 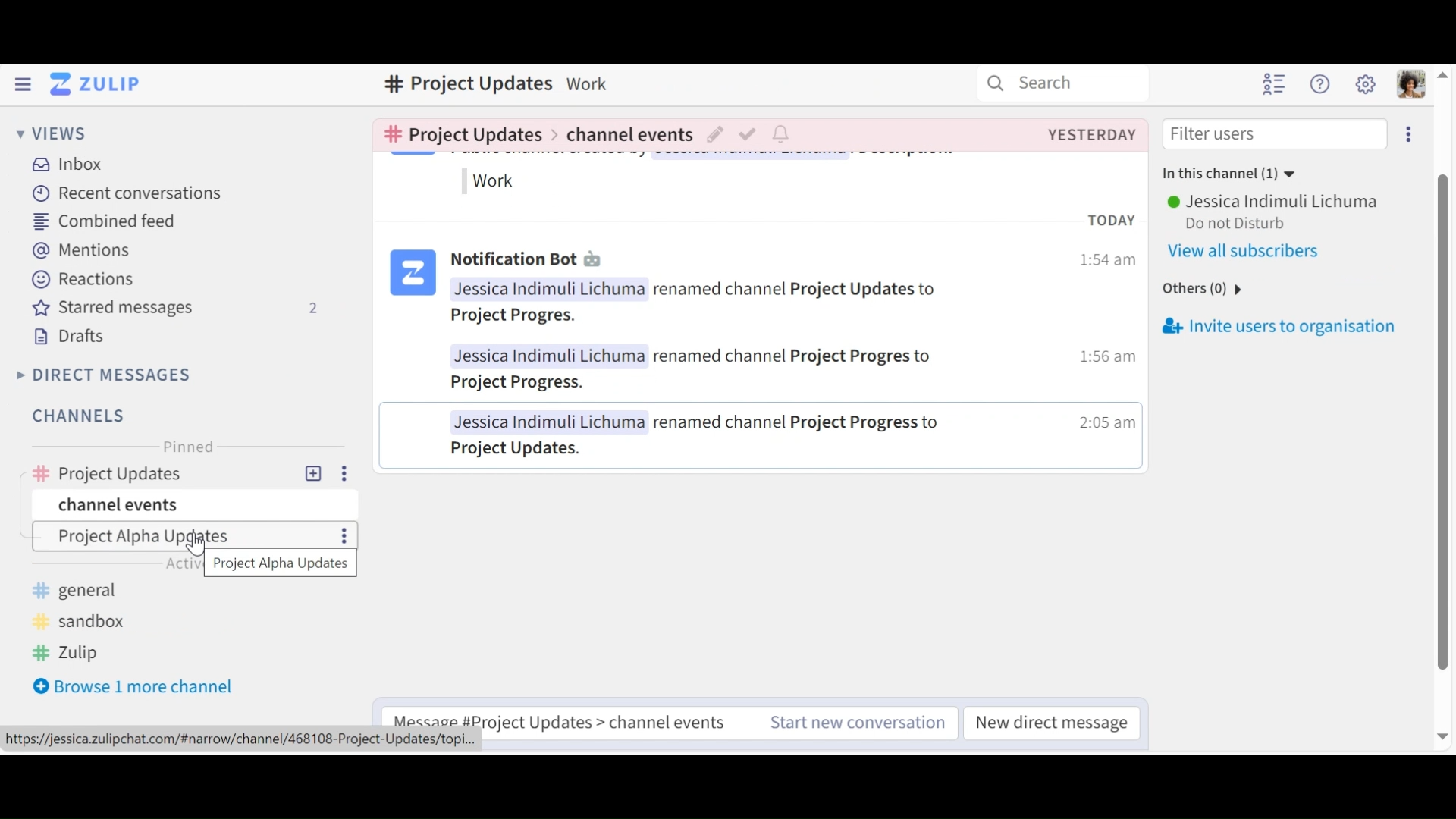 I want to click on View all users, so click(x=1254, y=251).